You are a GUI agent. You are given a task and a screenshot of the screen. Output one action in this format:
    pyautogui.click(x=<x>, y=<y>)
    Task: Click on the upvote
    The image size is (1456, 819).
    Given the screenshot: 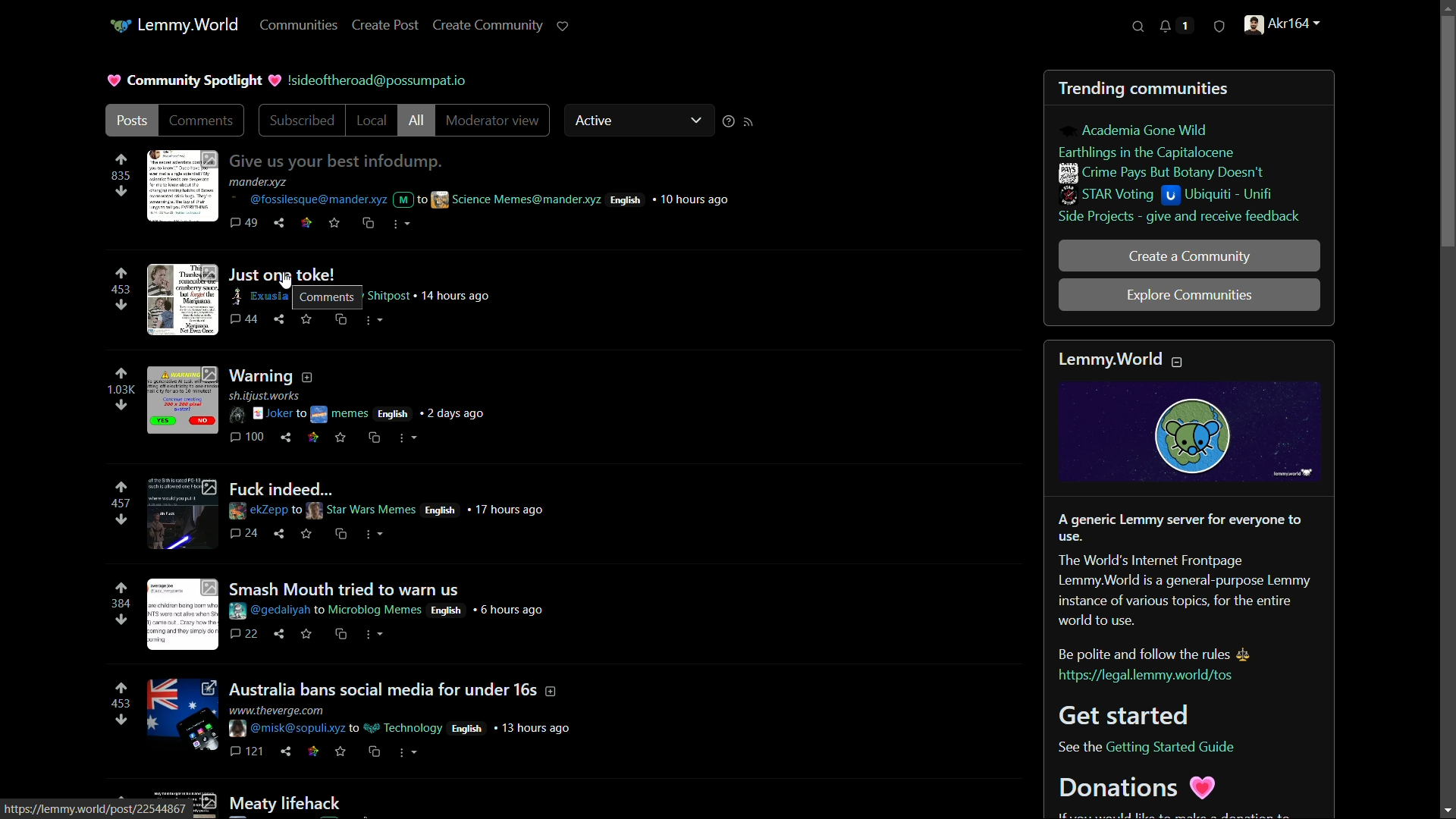 What is the action you would take?
    pyautogui.click(x=124, y=486)
    